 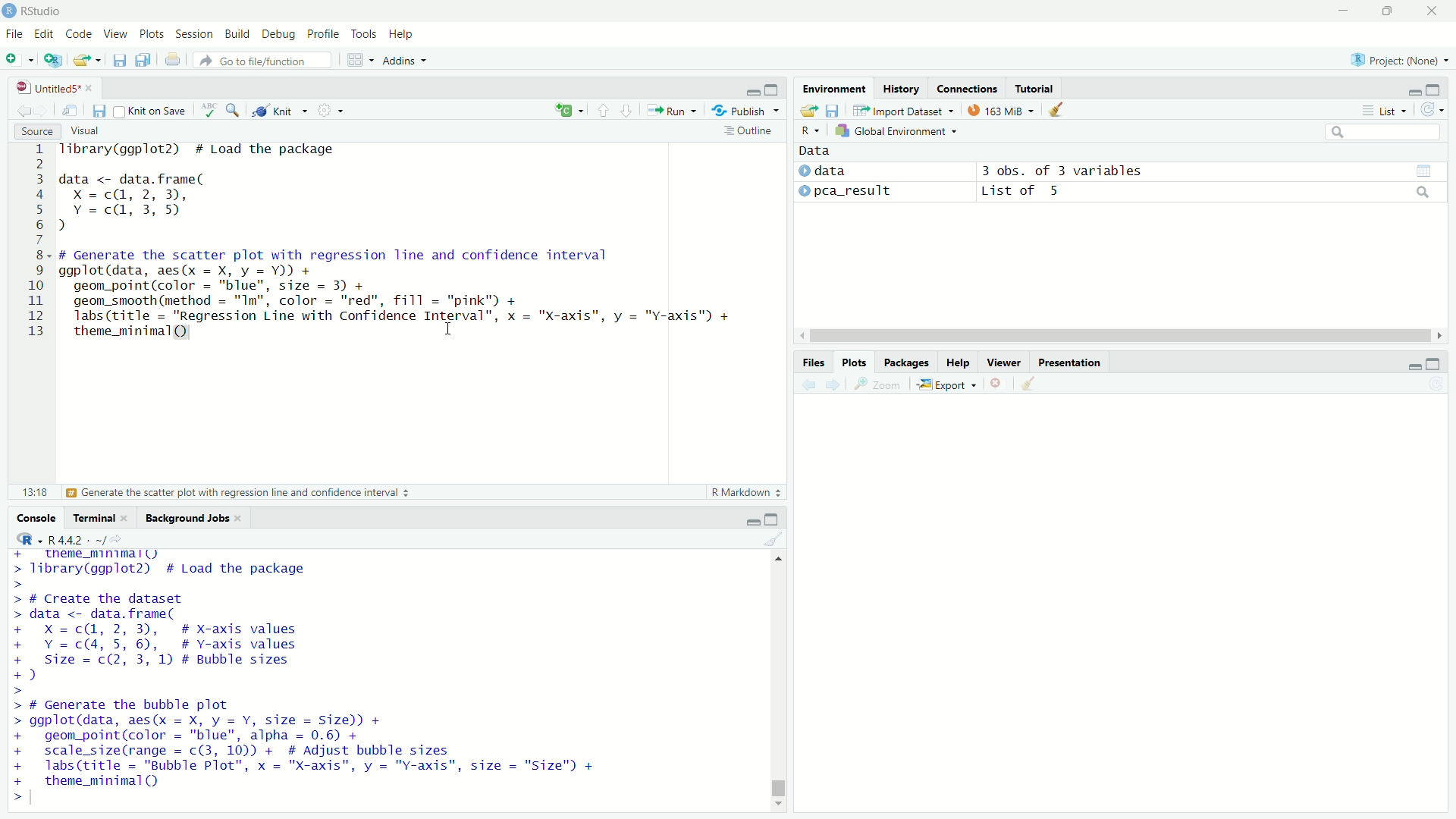 I want to click on Knit, so click(x=280, y=109).